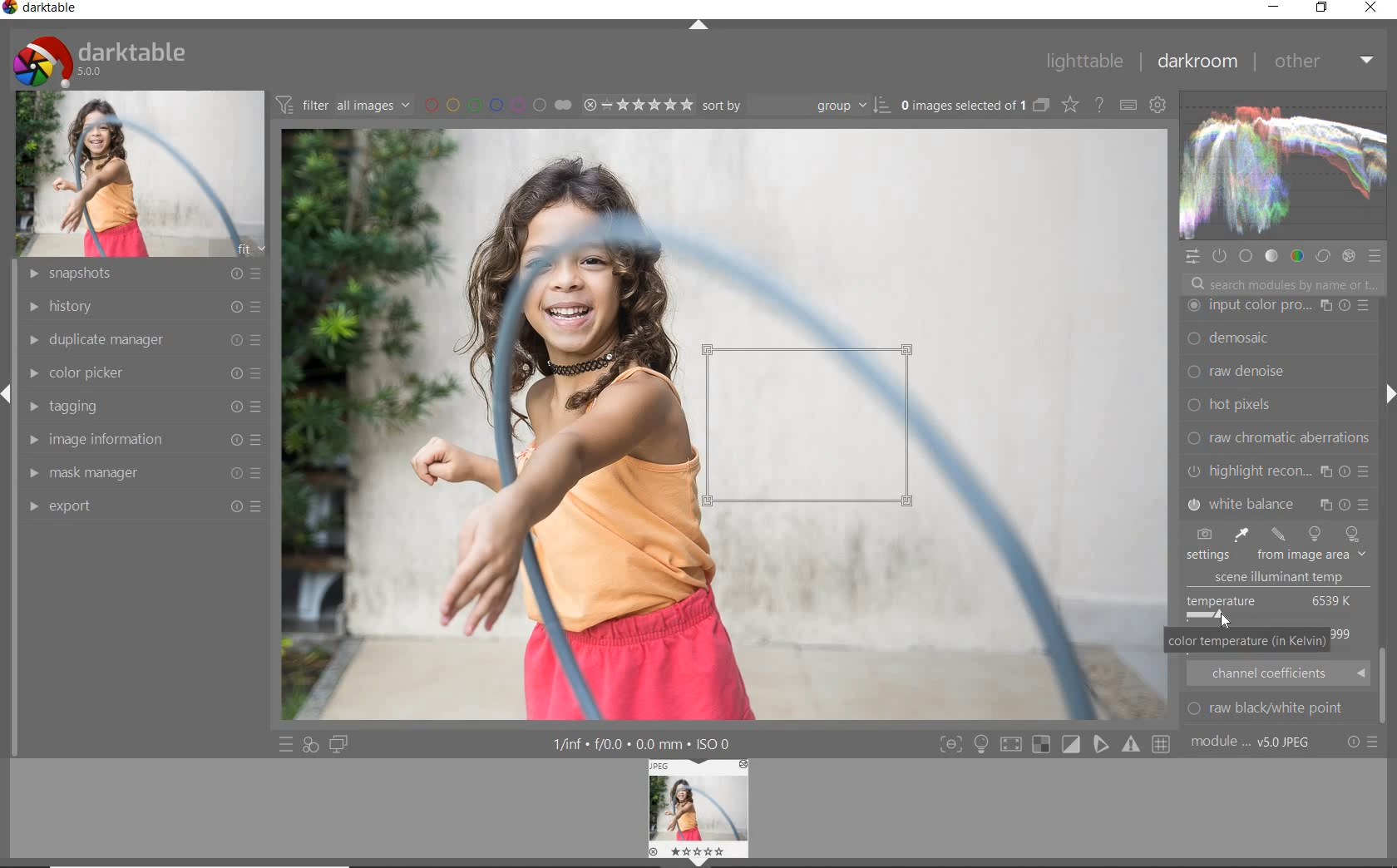  Describe the element at coordinates (1044, 746) in the screenshot. I see `toggle mode ` at that location.